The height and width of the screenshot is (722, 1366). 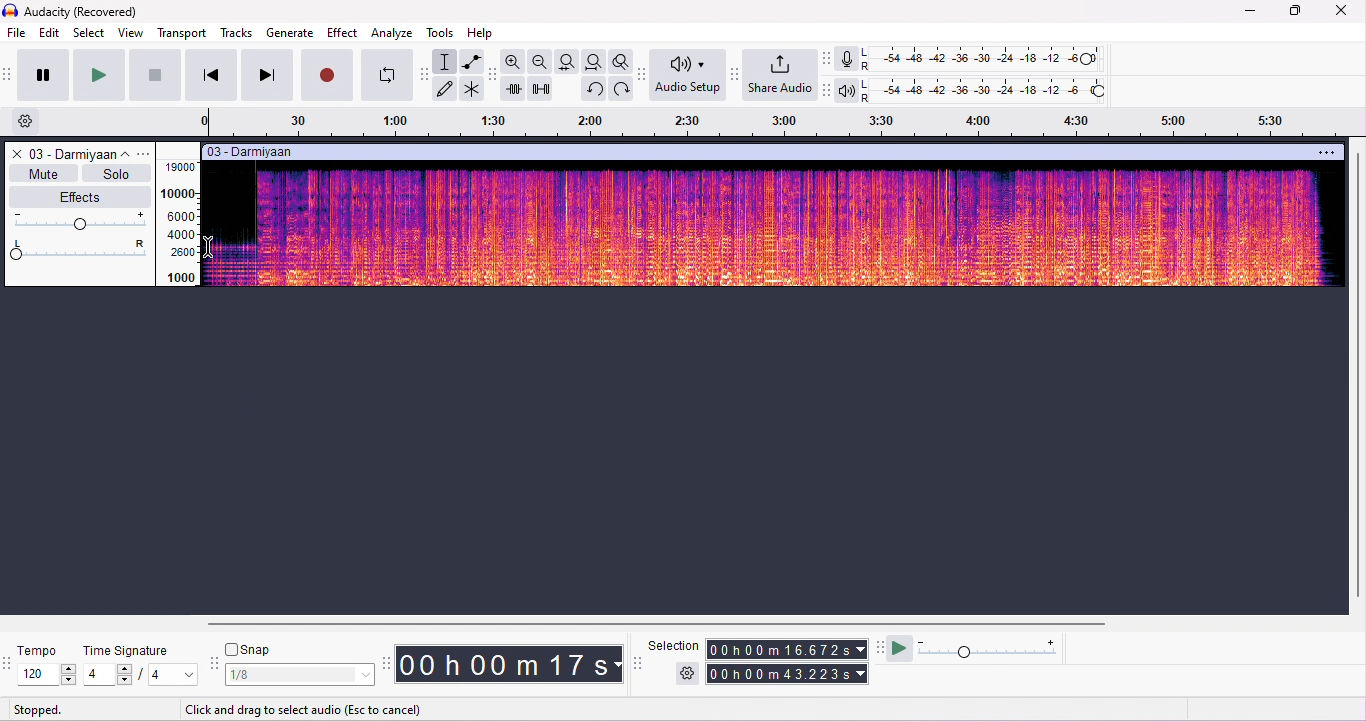 What do you see at coordinates (424, 75) in the screenshot?
I see `tools toolbar` at bounding box center [424, 75].